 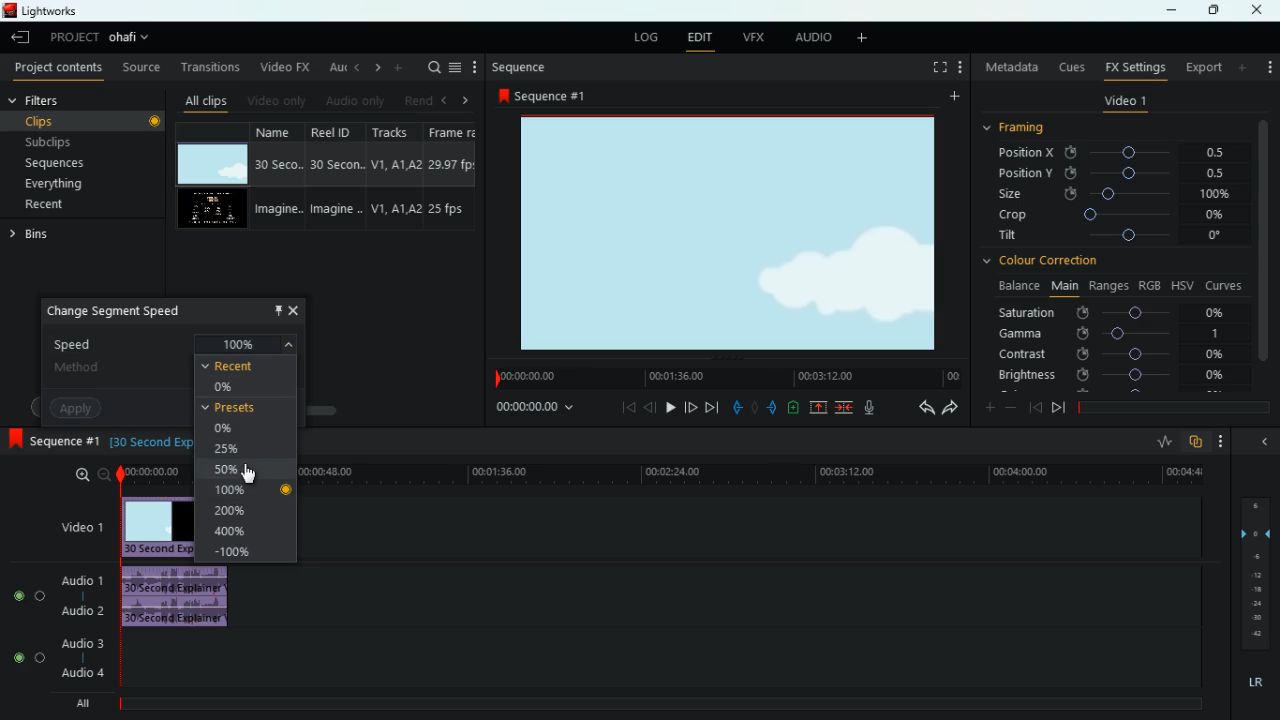 What do you see at coordinates (1170, 405) in the screenshot?
I see `timeline` at bounding box center [1170, 405].